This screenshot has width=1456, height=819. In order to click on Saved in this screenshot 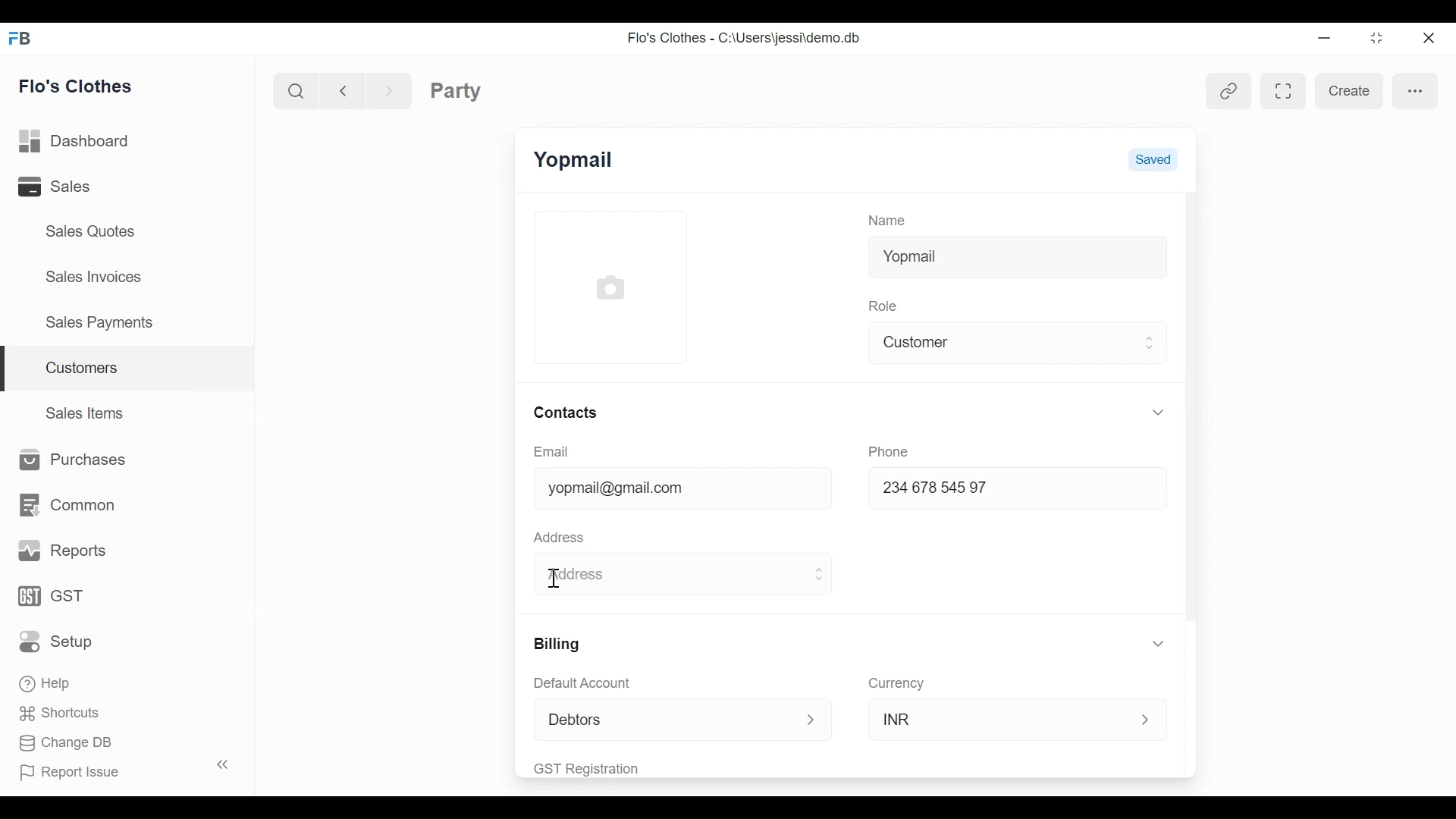, I will do `click(1153, 160)`.